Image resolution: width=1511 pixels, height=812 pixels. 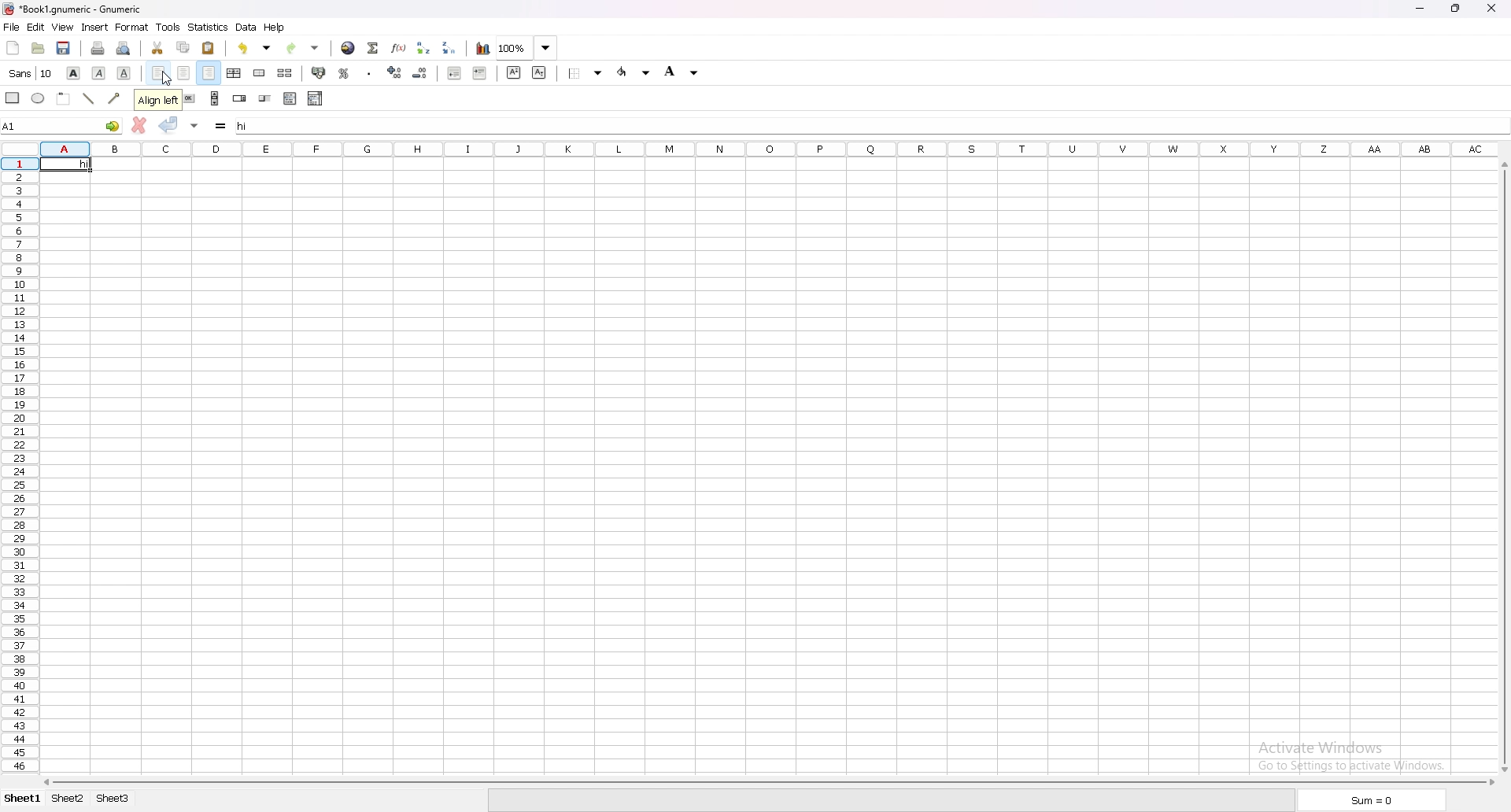 What do you see at coordinates (397, 48) in the screenshot?
I see `function` at bounding box center [397, 48].